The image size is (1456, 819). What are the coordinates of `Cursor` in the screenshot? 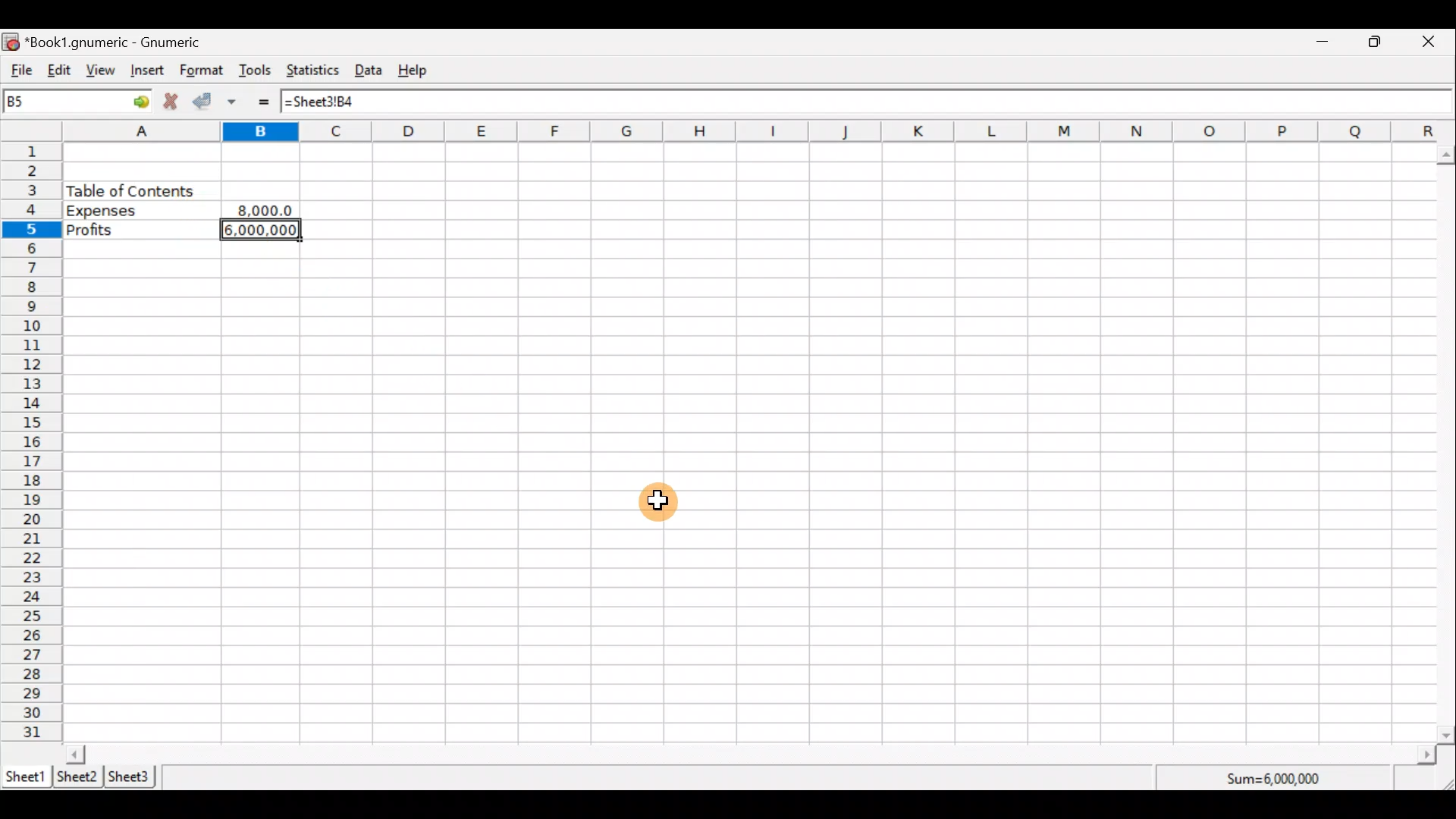 It's located at (658, 503).